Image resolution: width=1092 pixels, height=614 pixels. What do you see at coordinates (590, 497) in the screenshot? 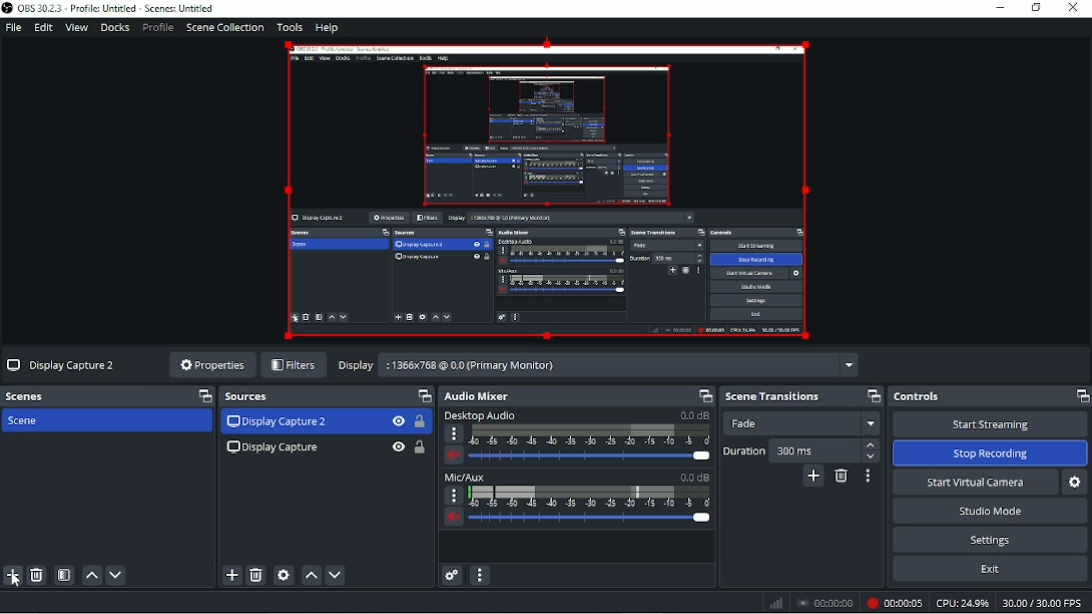
I see `Scale` at bounding box center [590, 497].